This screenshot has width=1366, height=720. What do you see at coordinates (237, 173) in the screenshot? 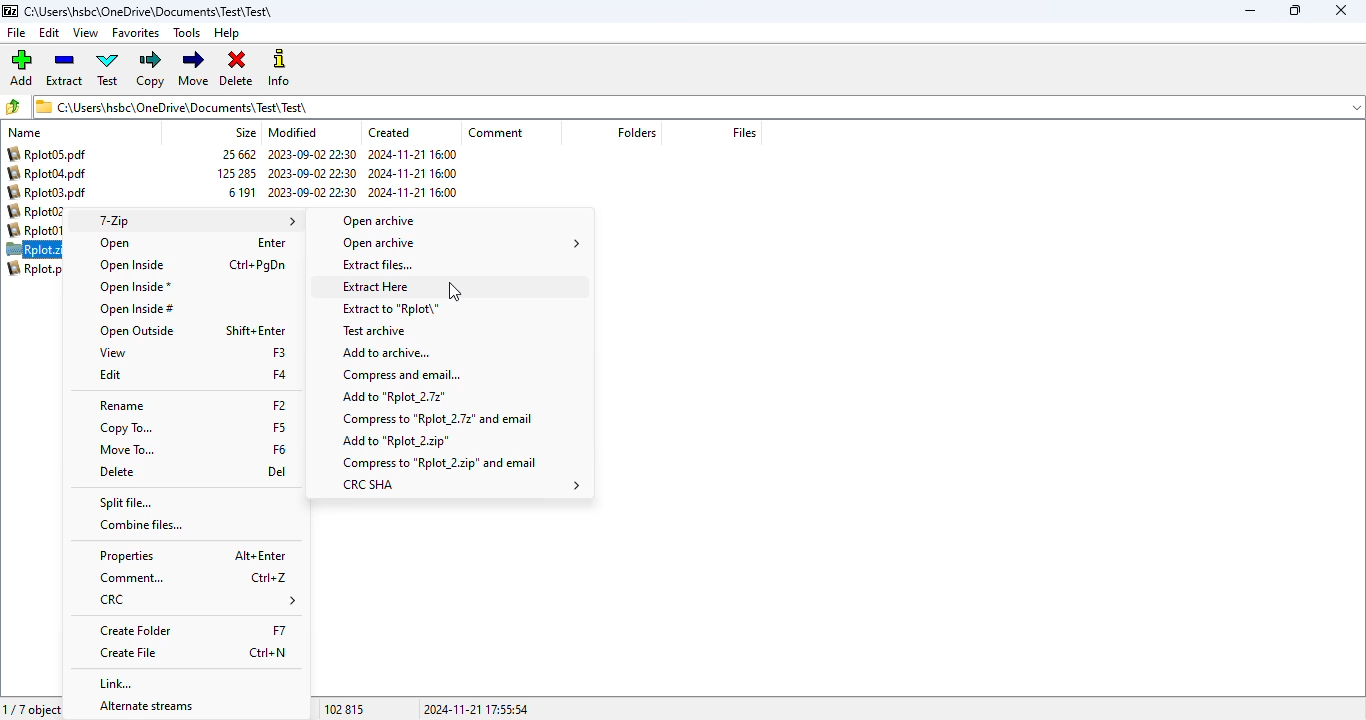
I see `125 285` at bounding box center [237, 173].